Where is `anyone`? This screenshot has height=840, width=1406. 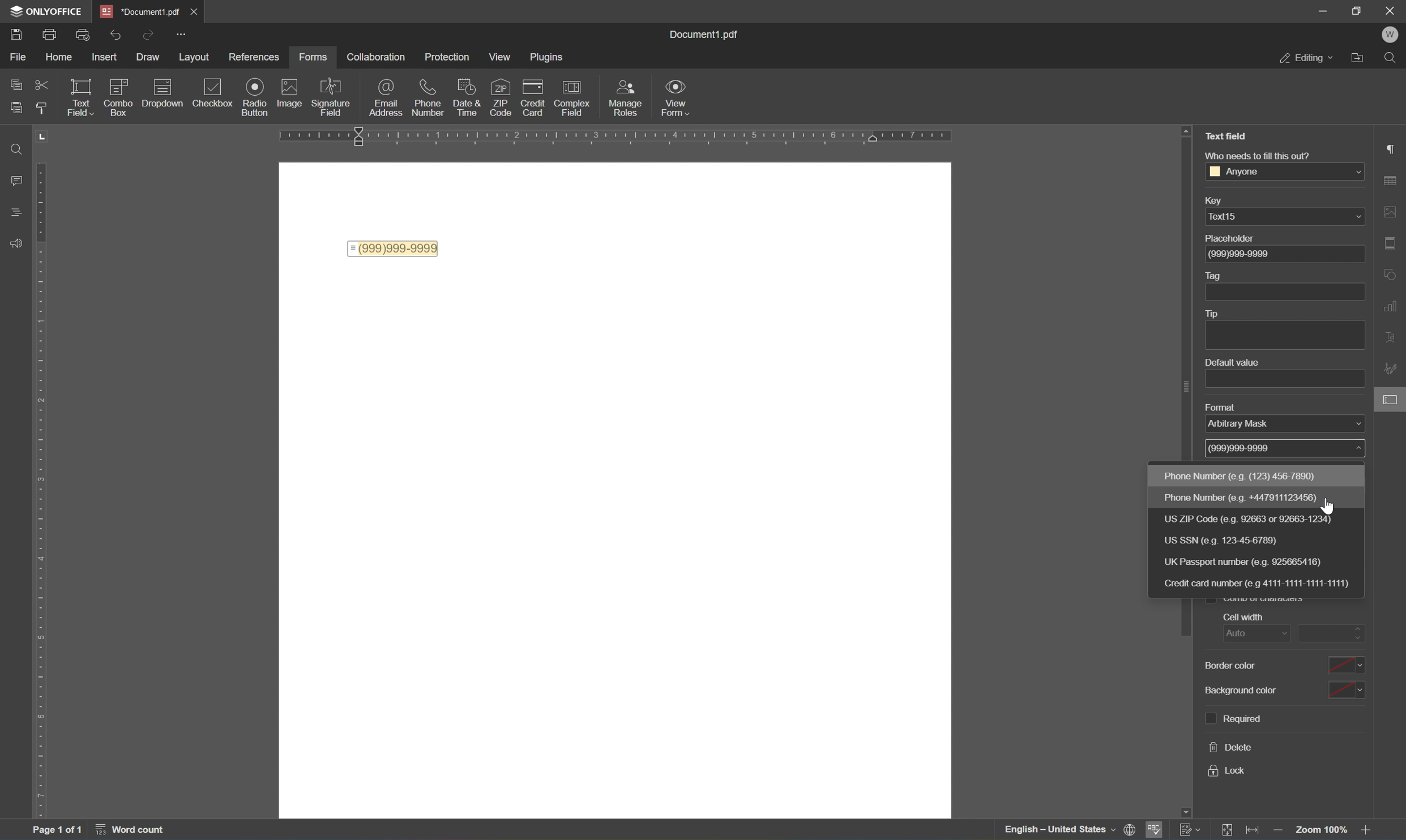
anyone is located at coordinates (1234, 172).